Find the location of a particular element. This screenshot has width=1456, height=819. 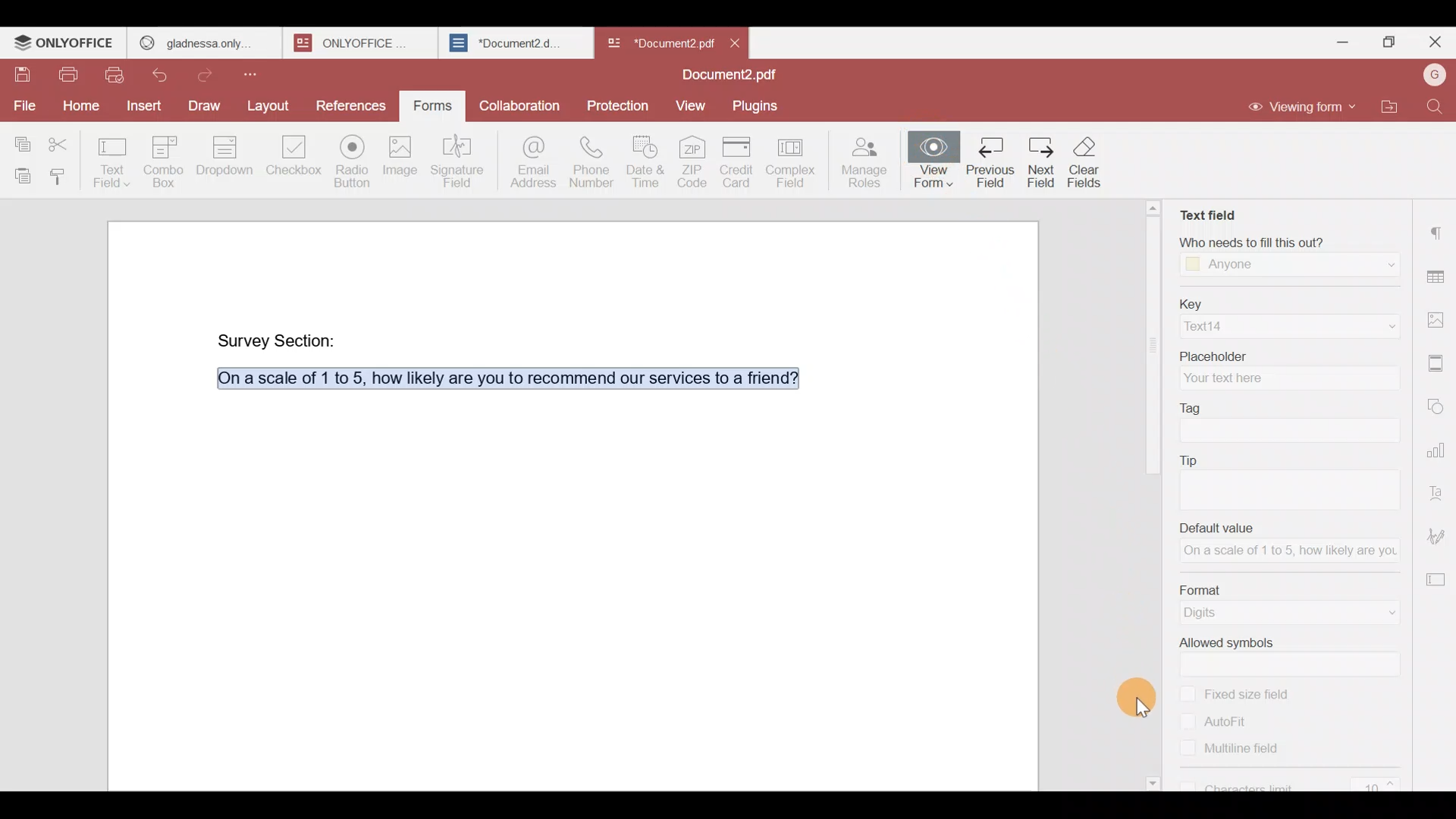

text box is located at coordinates (1294, 664).